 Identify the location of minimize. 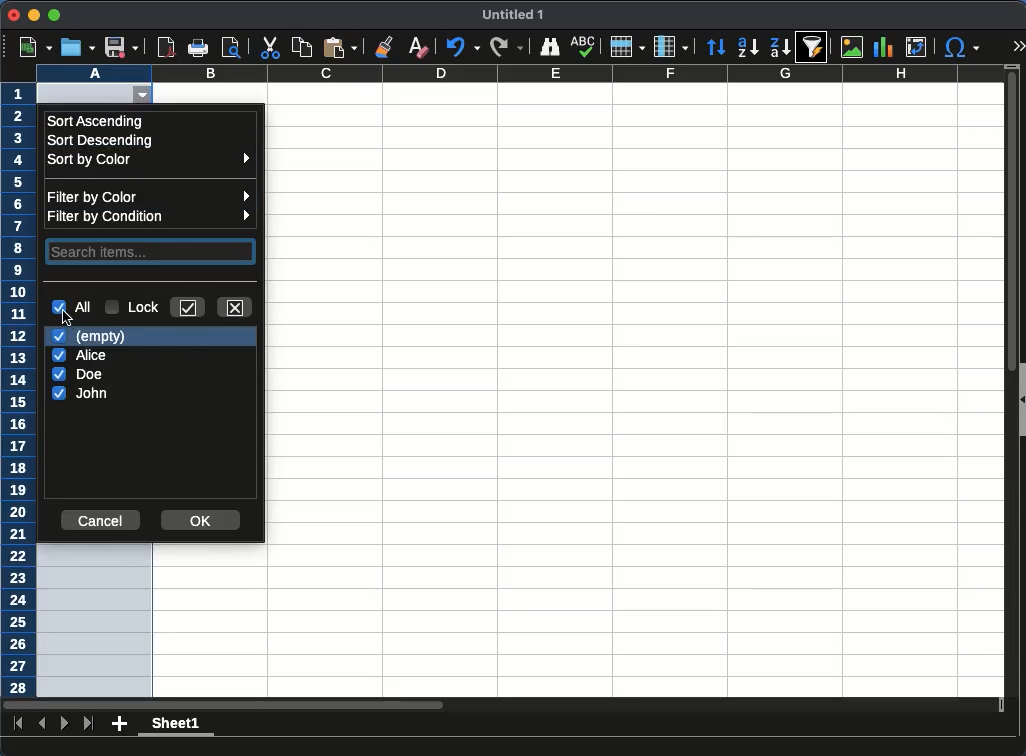
(33, 15).